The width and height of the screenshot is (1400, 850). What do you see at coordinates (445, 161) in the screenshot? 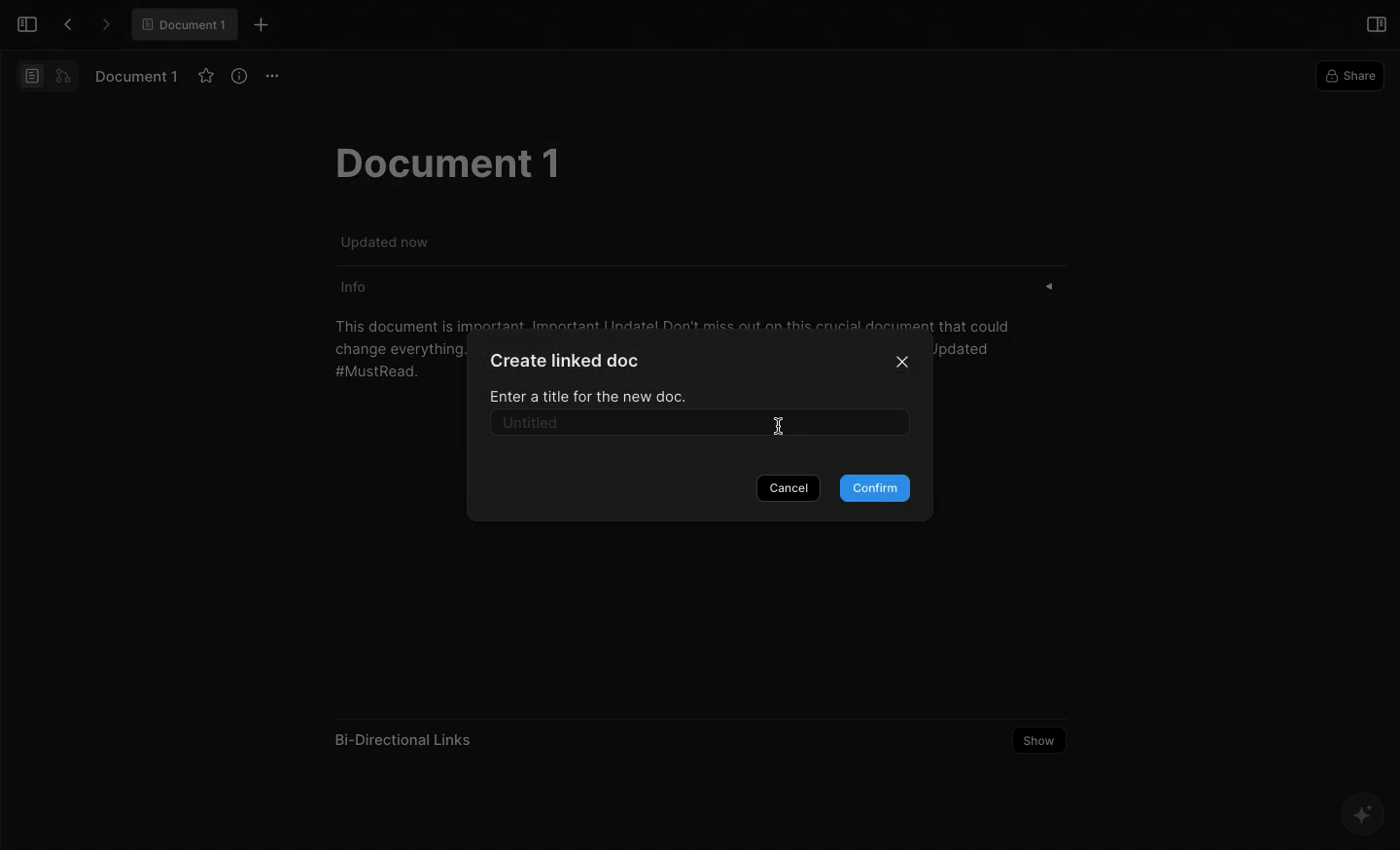
I see `Document 1` at bounding box center [445, 161].